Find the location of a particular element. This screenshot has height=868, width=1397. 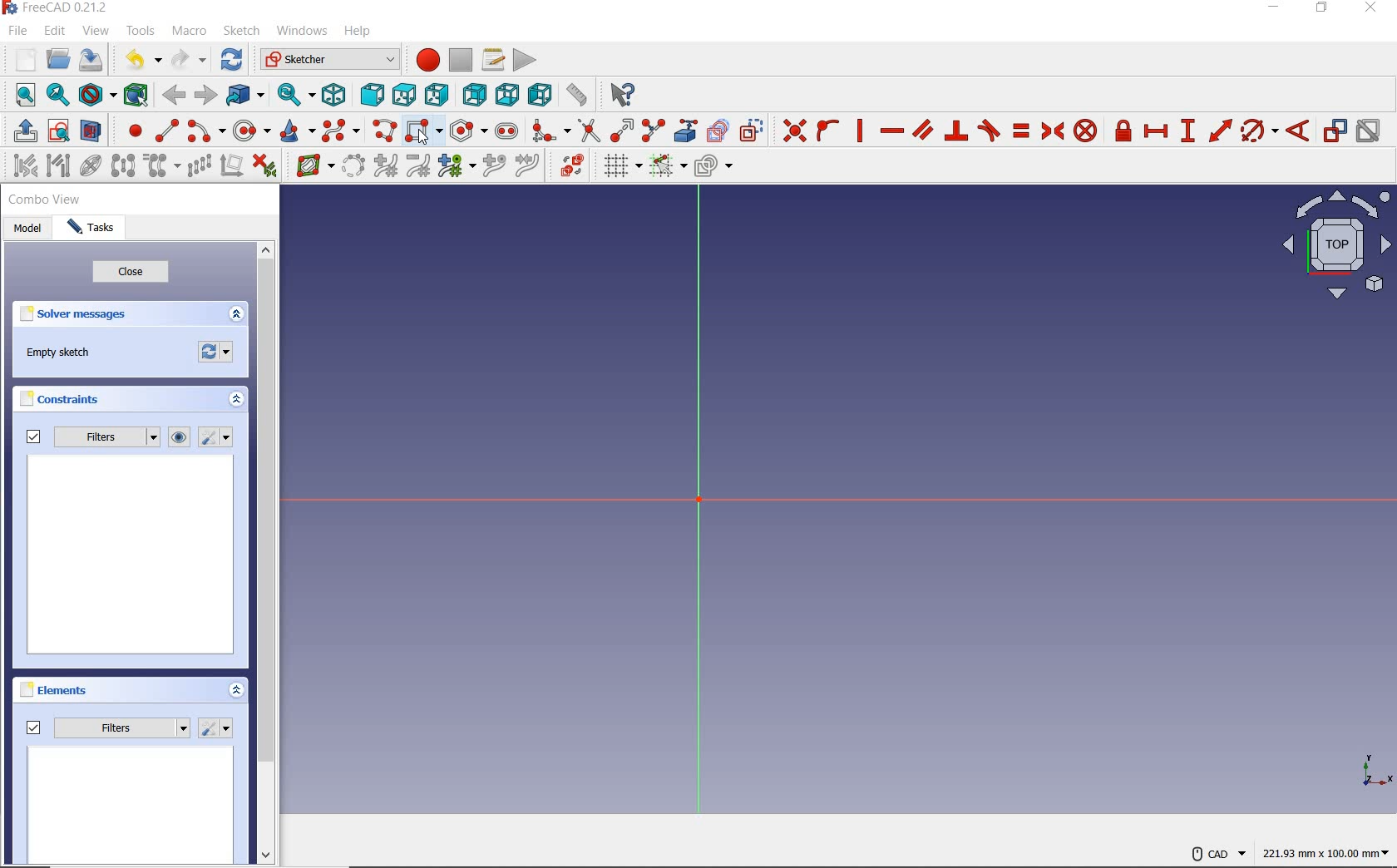

tasks is located at coordinates (93, 230).